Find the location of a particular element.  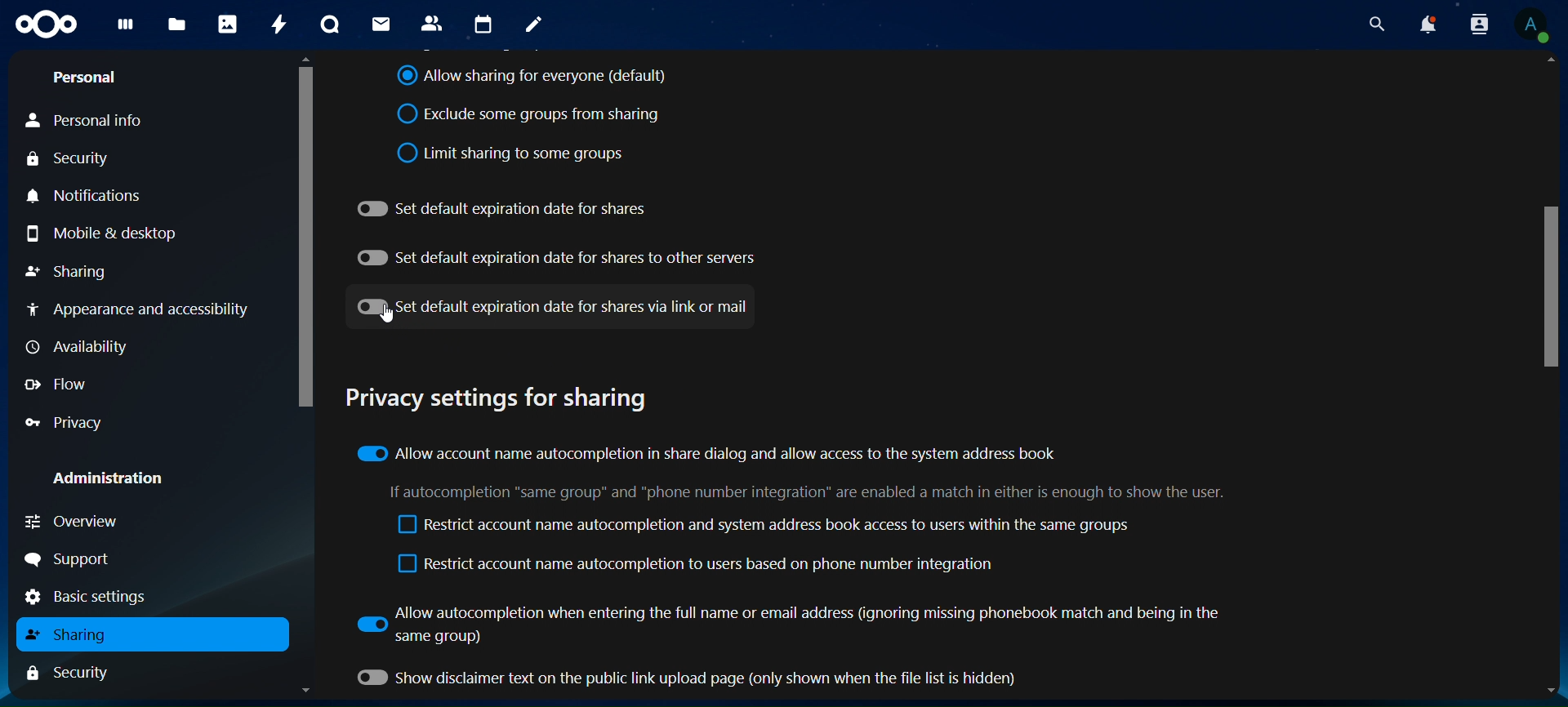

set default expiration date for shares via link or mail is located at coordinates (555, 304).